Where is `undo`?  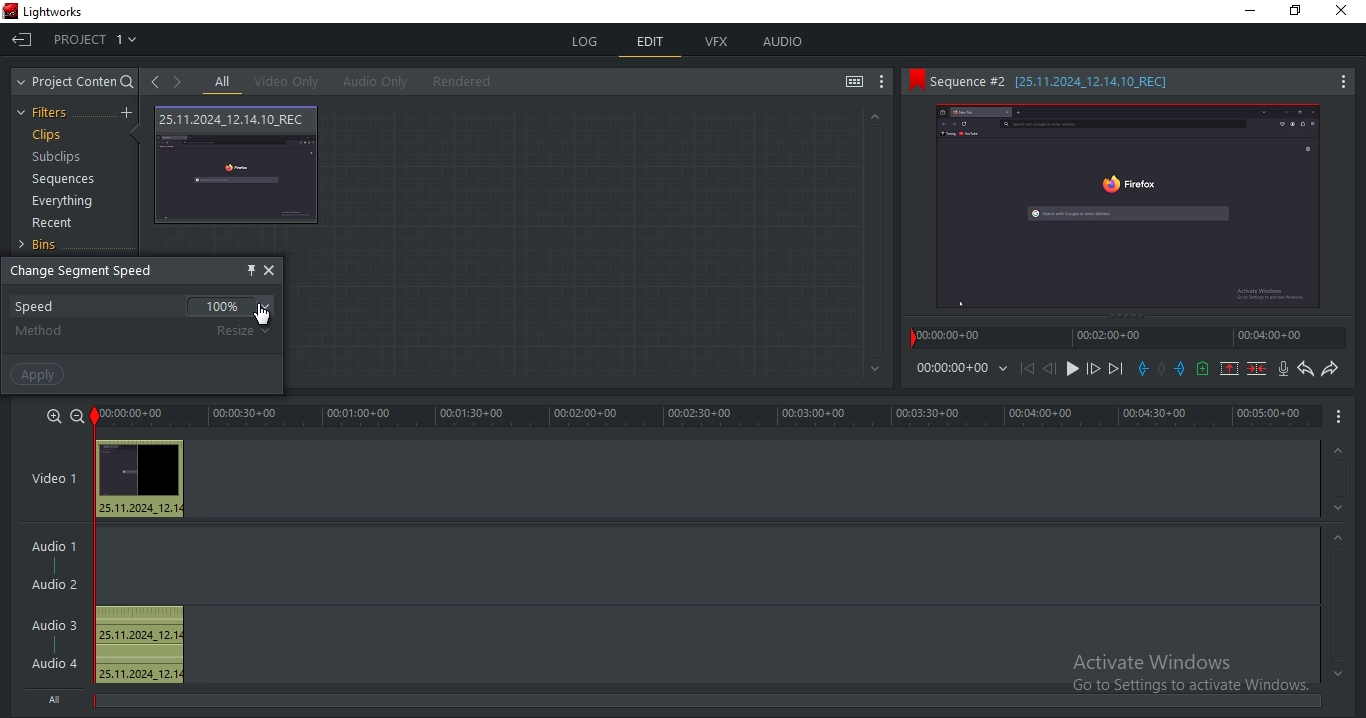 undo is located at coordinates (1303, 369).